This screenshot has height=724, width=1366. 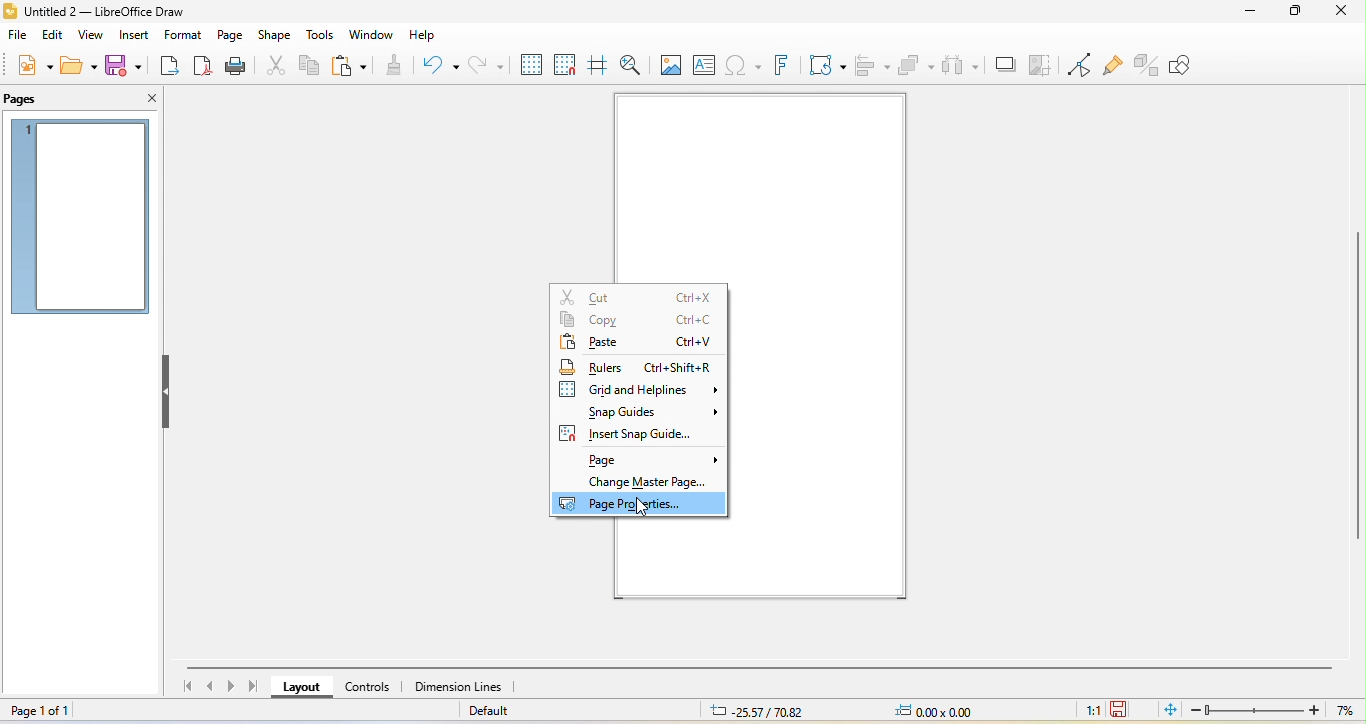 What do you see at coordinates (170, 67) in the screenshot?
I see `export` at bounding box center [170, 67].